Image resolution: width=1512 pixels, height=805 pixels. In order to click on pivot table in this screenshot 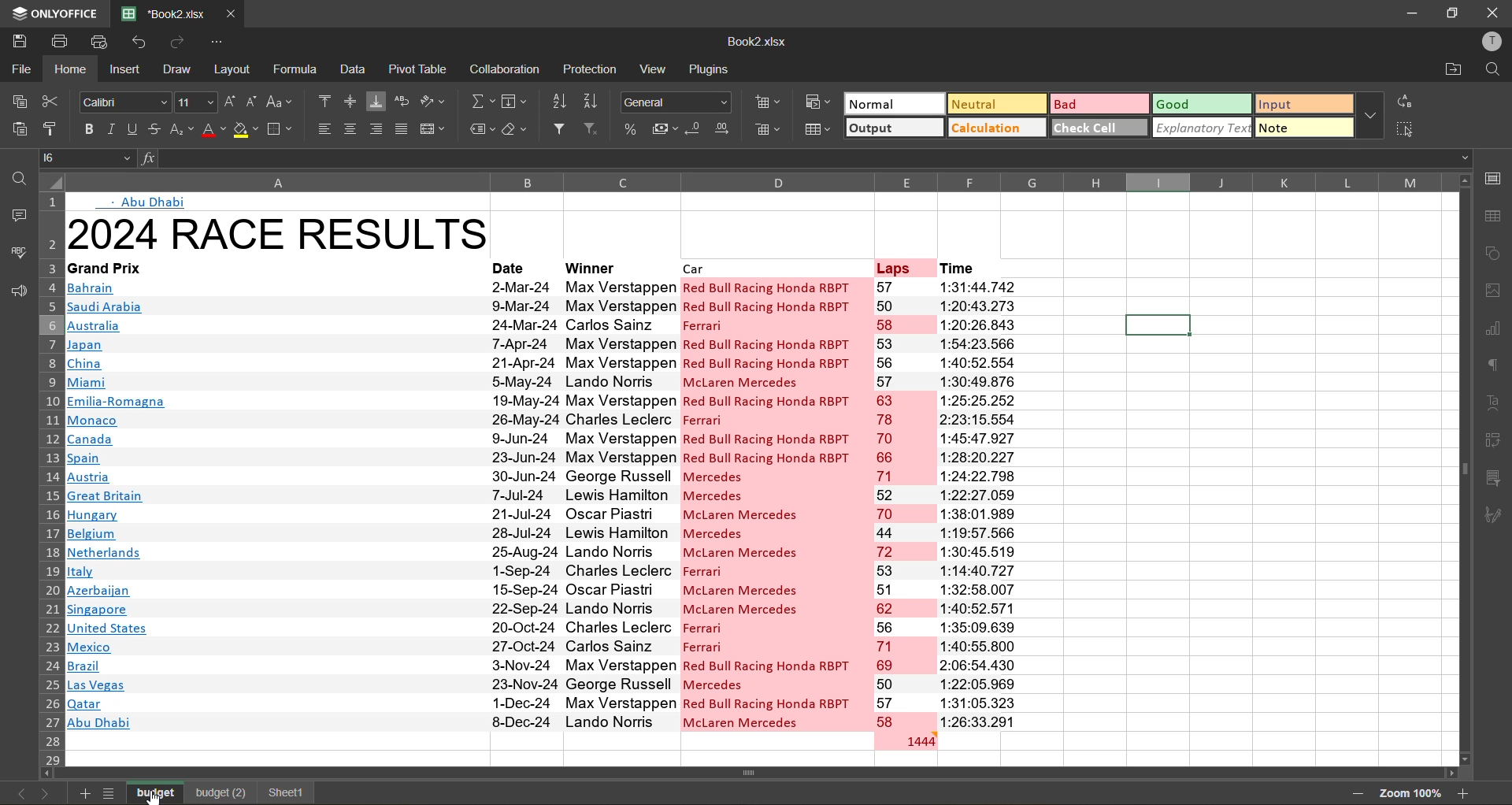, I will do `click(420, 68)`.